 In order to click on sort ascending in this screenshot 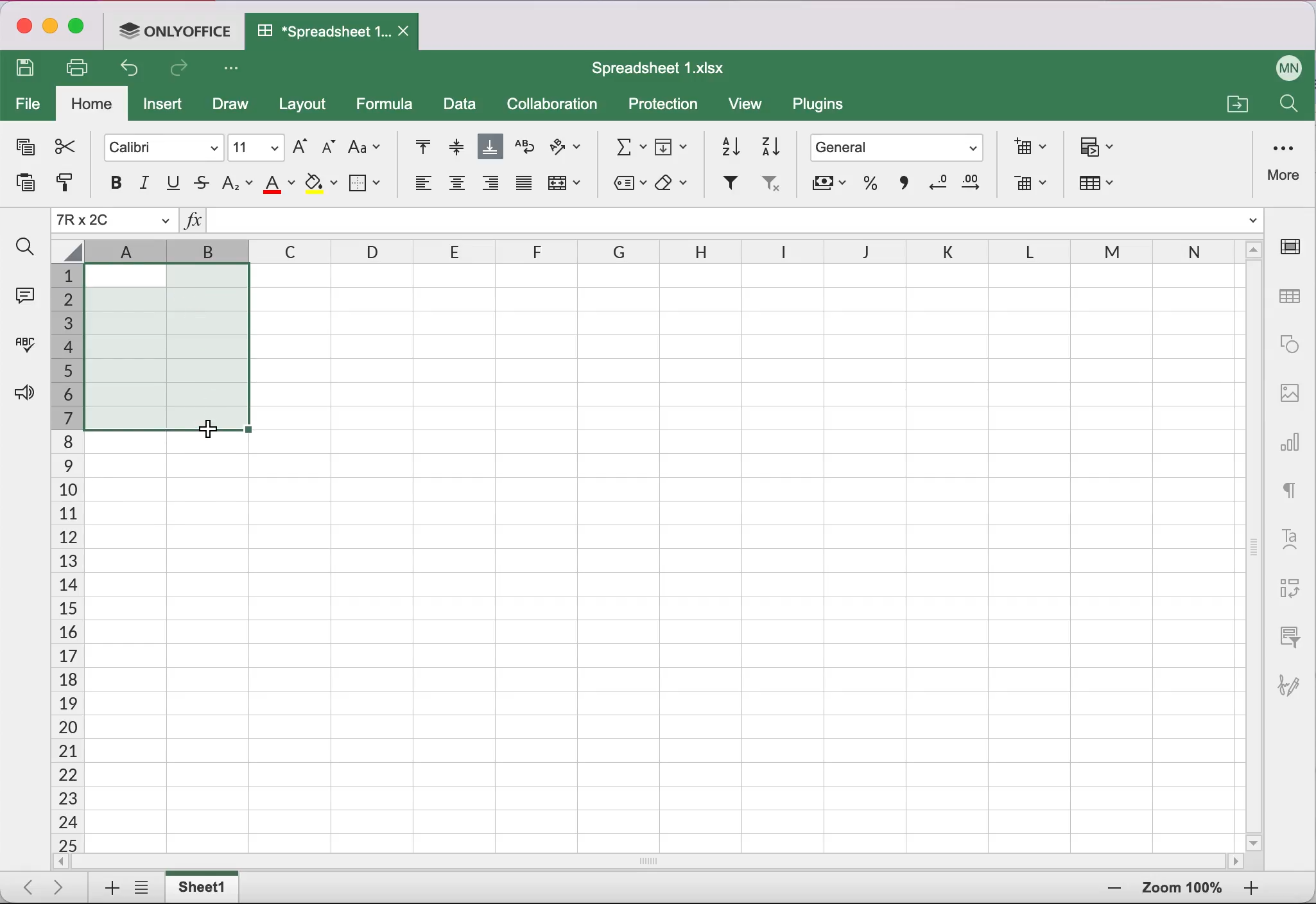, I will do `click(725, 144)`.